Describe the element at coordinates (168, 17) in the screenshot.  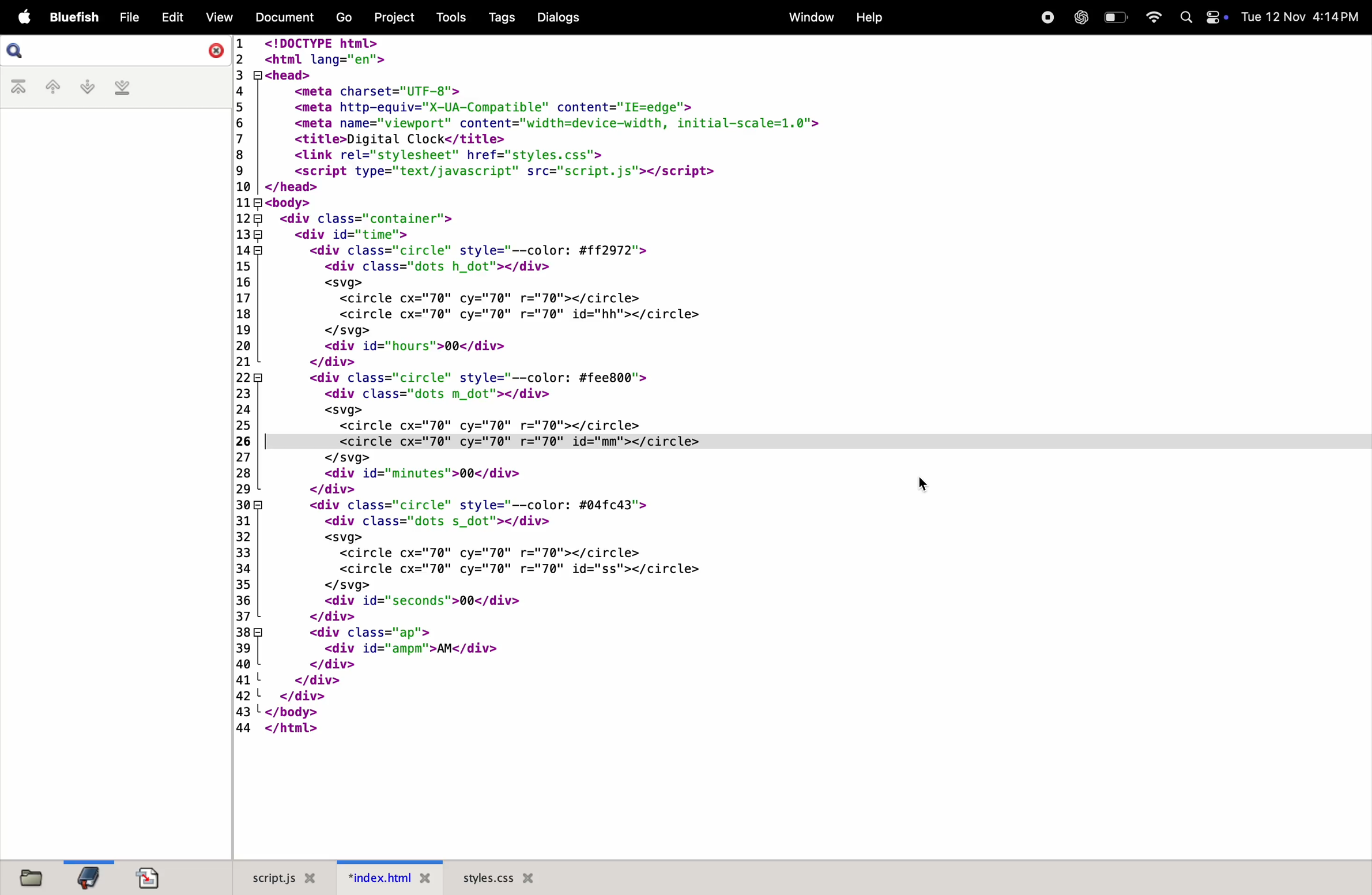
I see `edit` at that location.